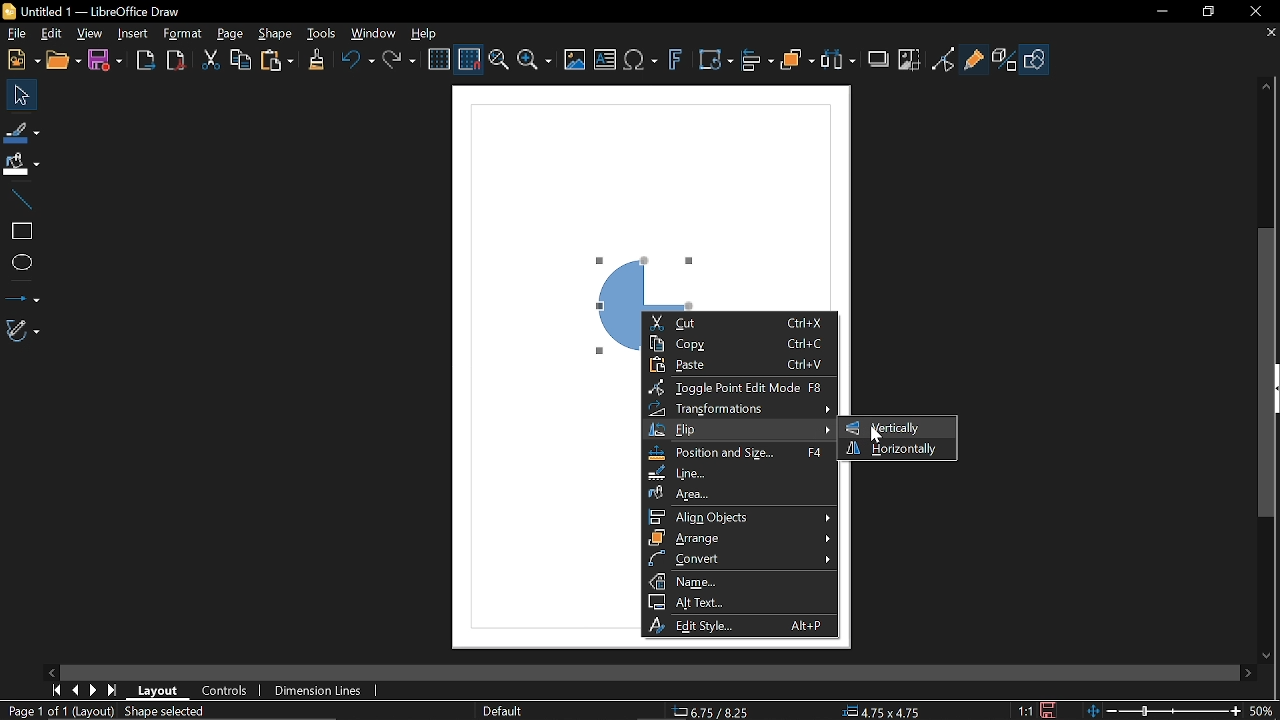 The height and width of the screenshot is (720, 1280). I want to click on 50% (current zoom level), so click(1262, 709).